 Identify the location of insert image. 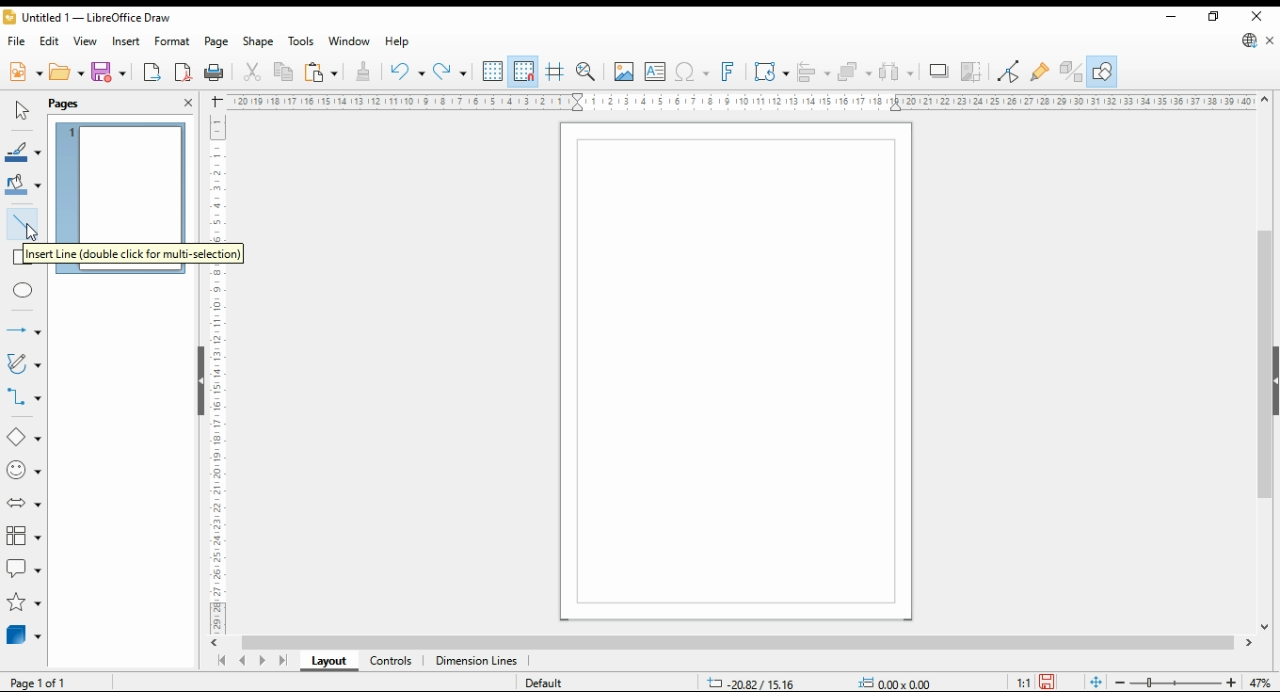
(623, 71).